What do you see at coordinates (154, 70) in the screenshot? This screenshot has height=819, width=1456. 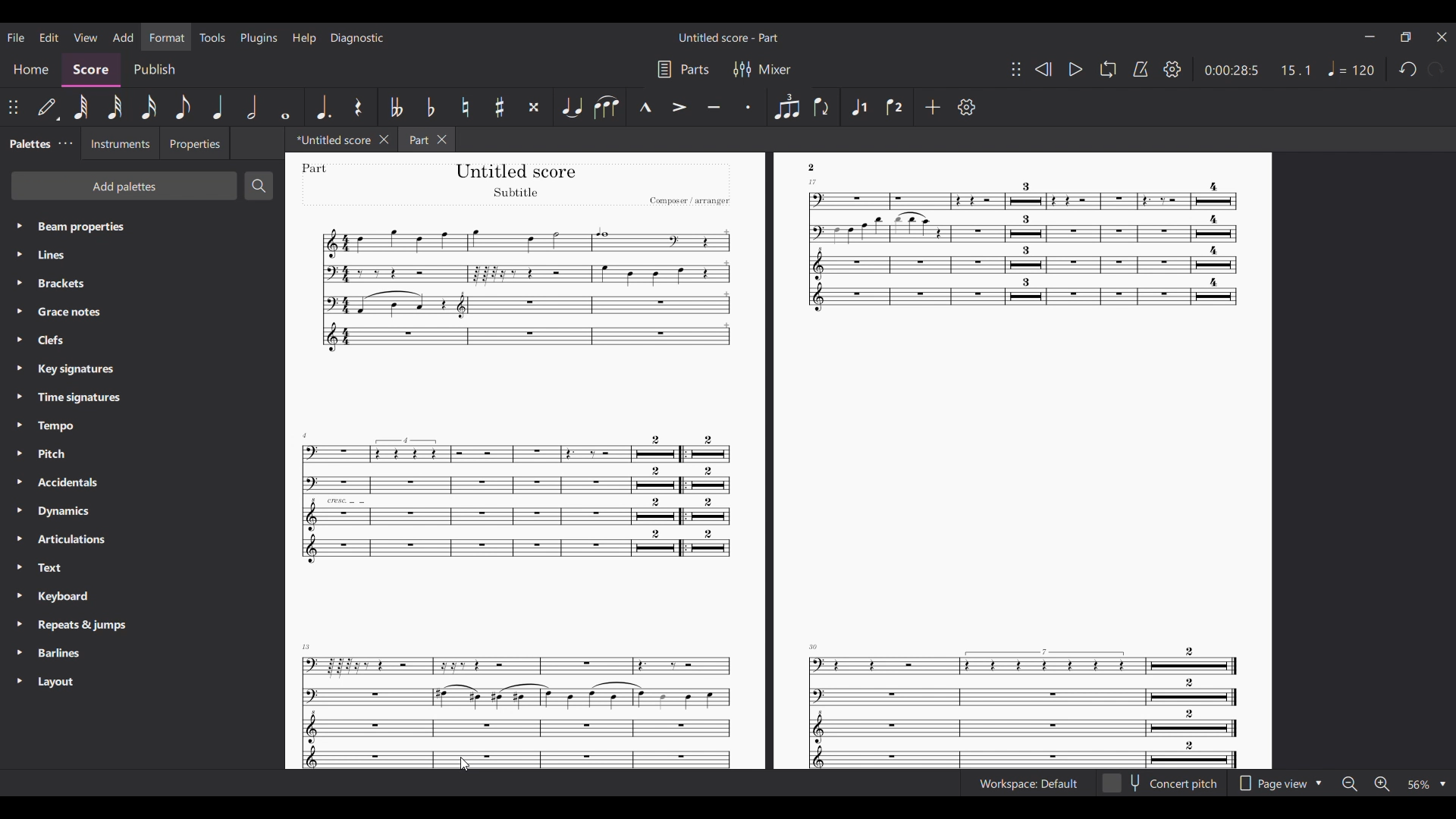 I see `Publish section` at bounding box center [154, 70].